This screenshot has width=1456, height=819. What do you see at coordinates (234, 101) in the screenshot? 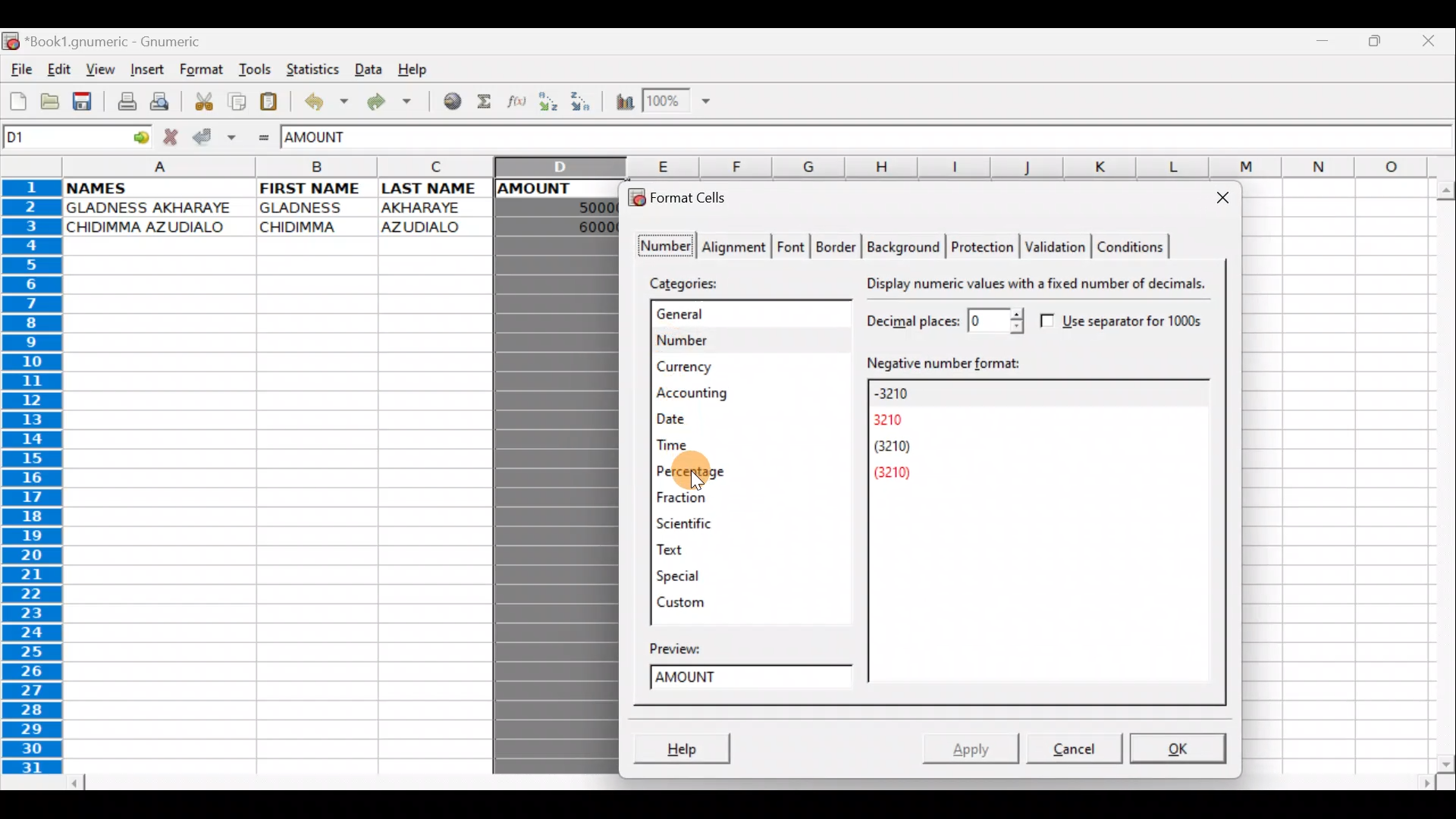
I see `Copy selection` at bounding box center [234, 101].